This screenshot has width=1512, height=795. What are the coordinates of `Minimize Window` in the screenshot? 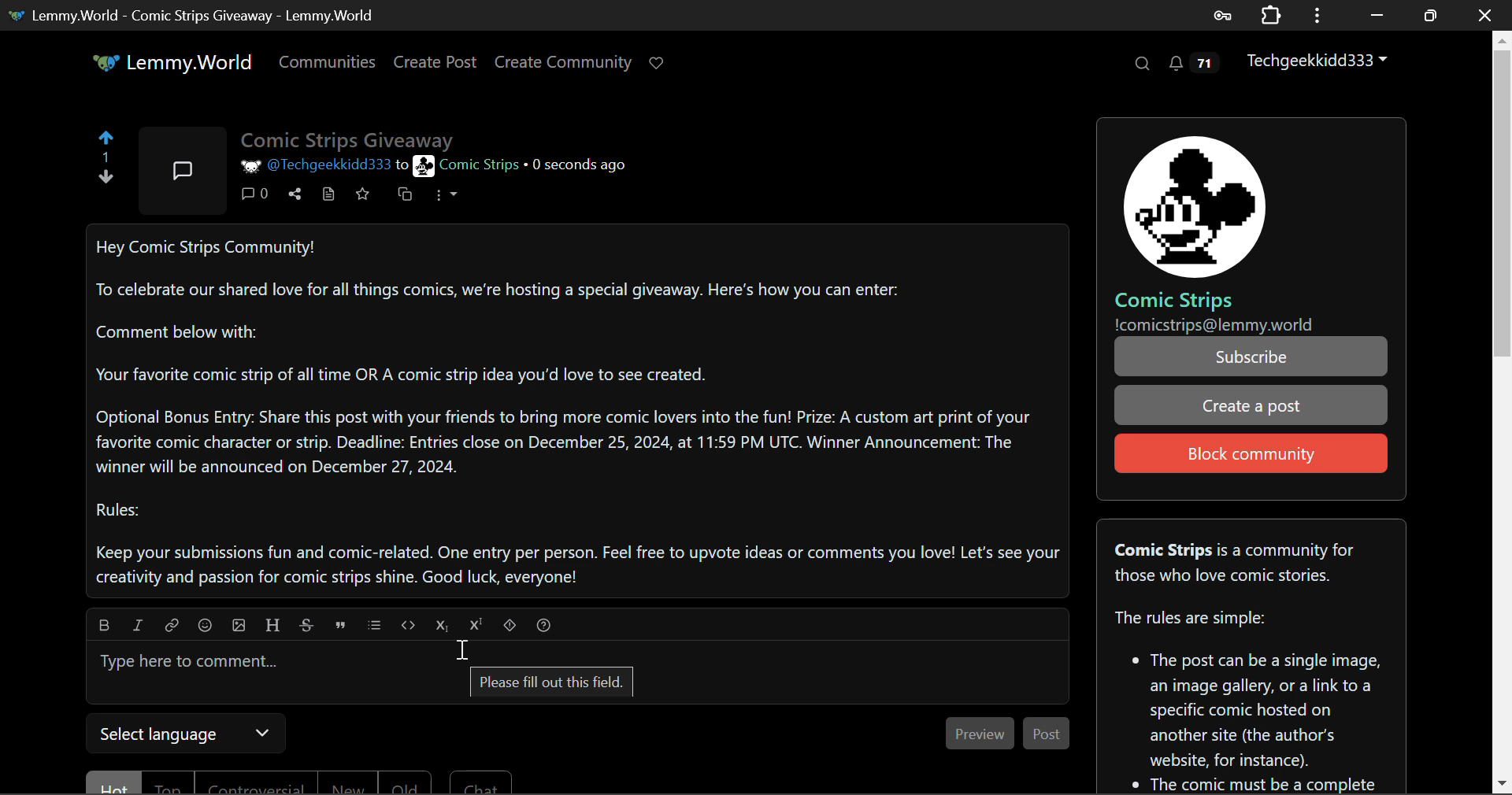 It's located at (1430, 13).